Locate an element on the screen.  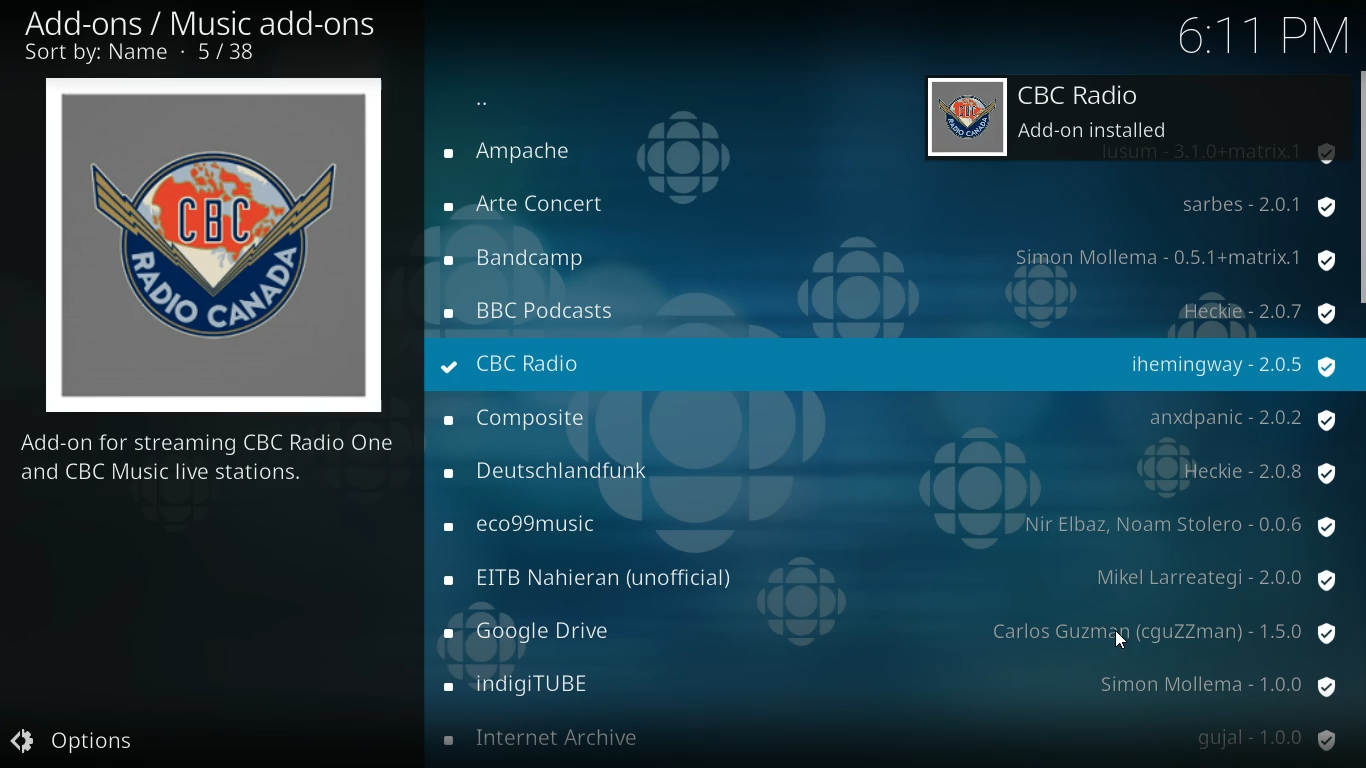
protection is located at coordinates (1237, 420).